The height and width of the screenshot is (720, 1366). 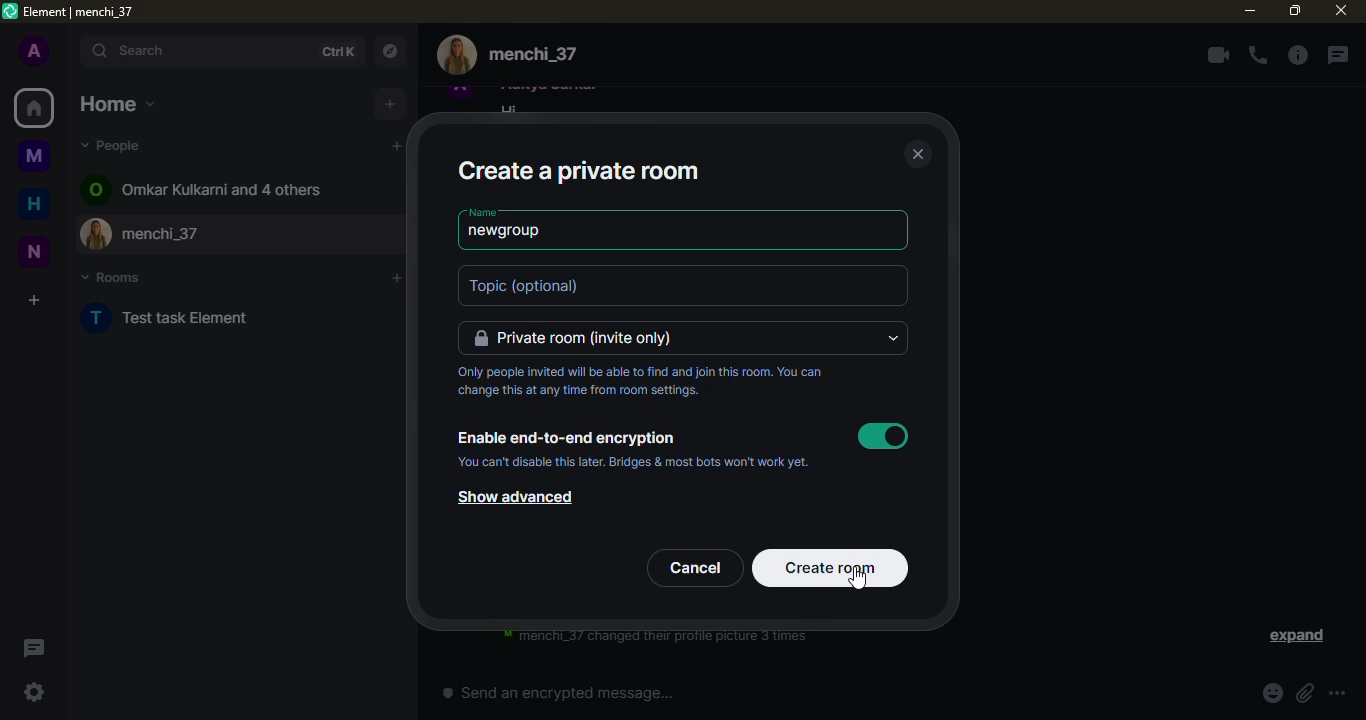 What do you see at coordinates (1258, 55) in the screenshot?
I see `voice call` at bounding box center [1258, 55].